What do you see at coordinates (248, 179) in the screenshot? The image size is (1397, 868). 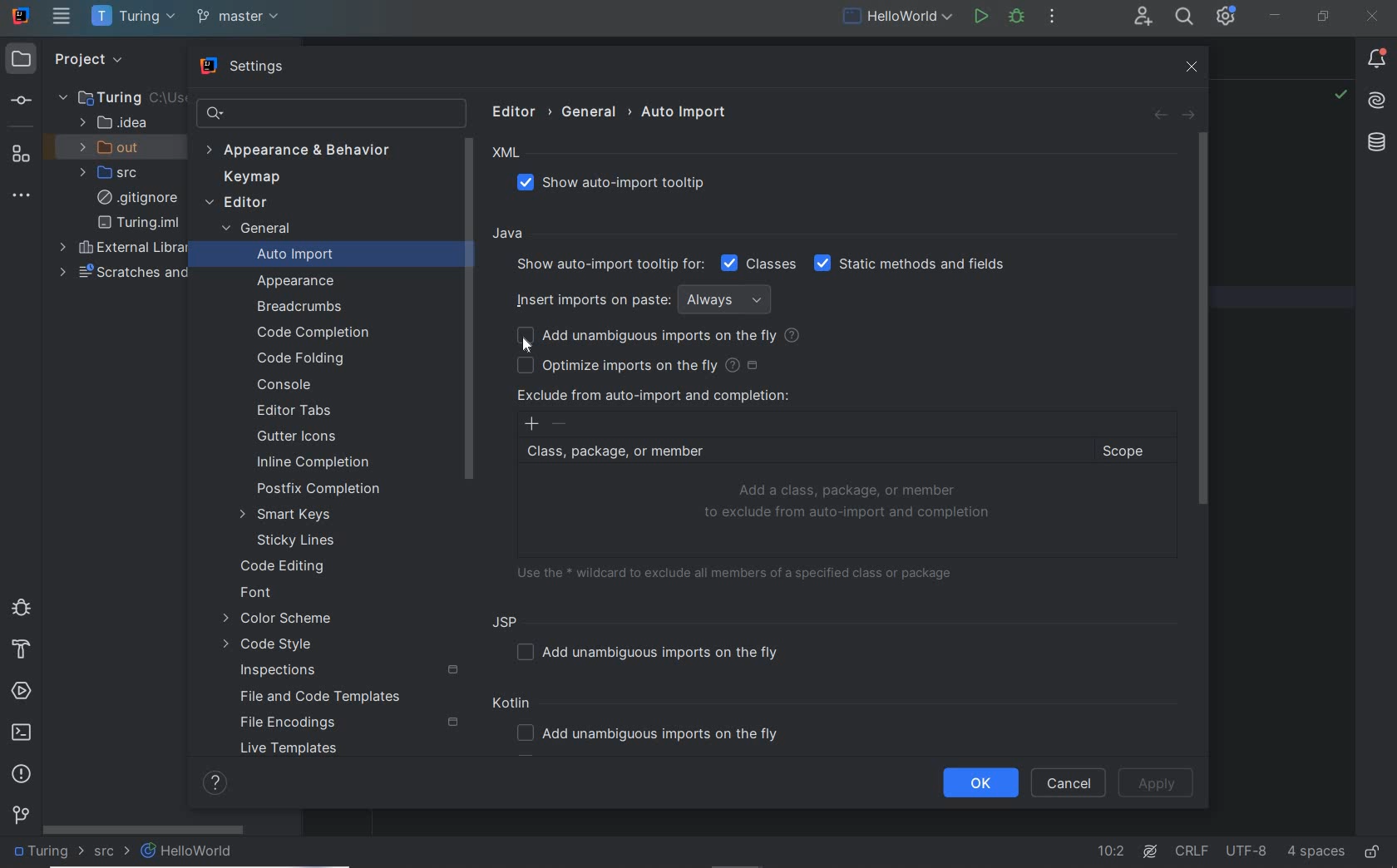 I see `KEYMAP` at bounding box center [248, 179].